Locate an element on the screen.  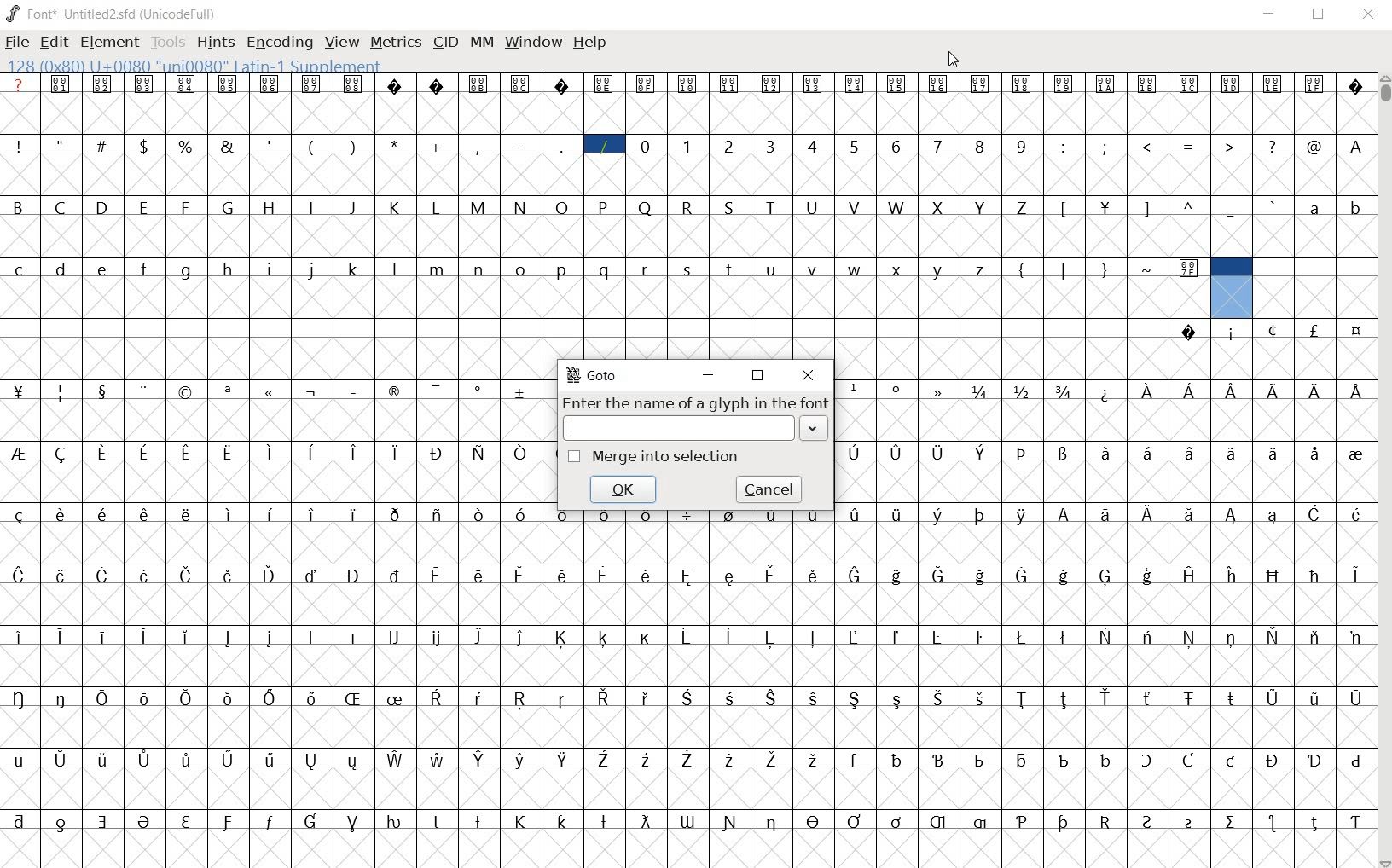
Symbol is located at coordinates (105, 819).